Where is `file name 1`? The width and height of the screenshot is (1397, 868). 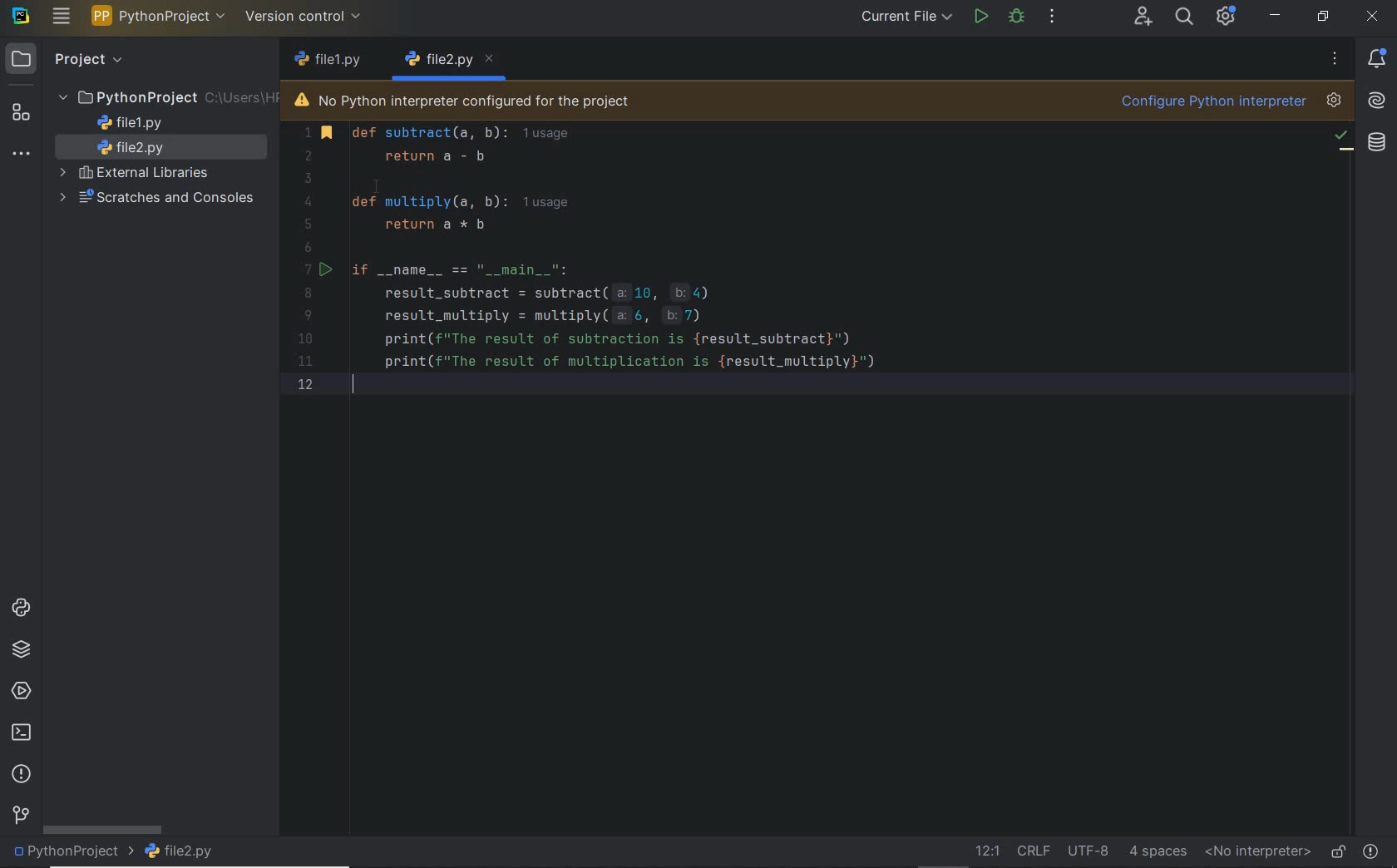
file name 1 is located at coordinates (131, 123).